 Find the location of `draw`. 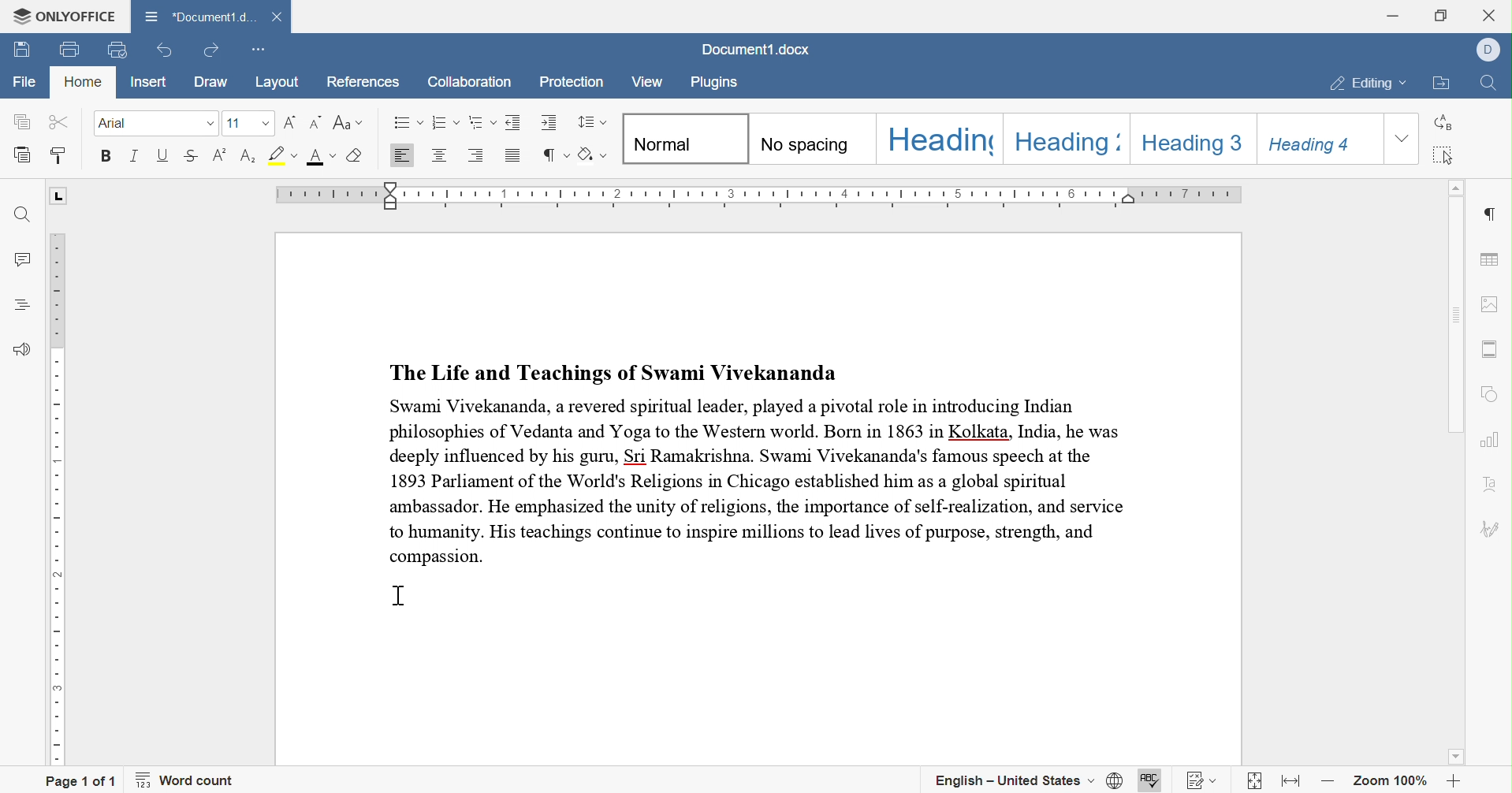

draw is located at coordinates (218, 82).